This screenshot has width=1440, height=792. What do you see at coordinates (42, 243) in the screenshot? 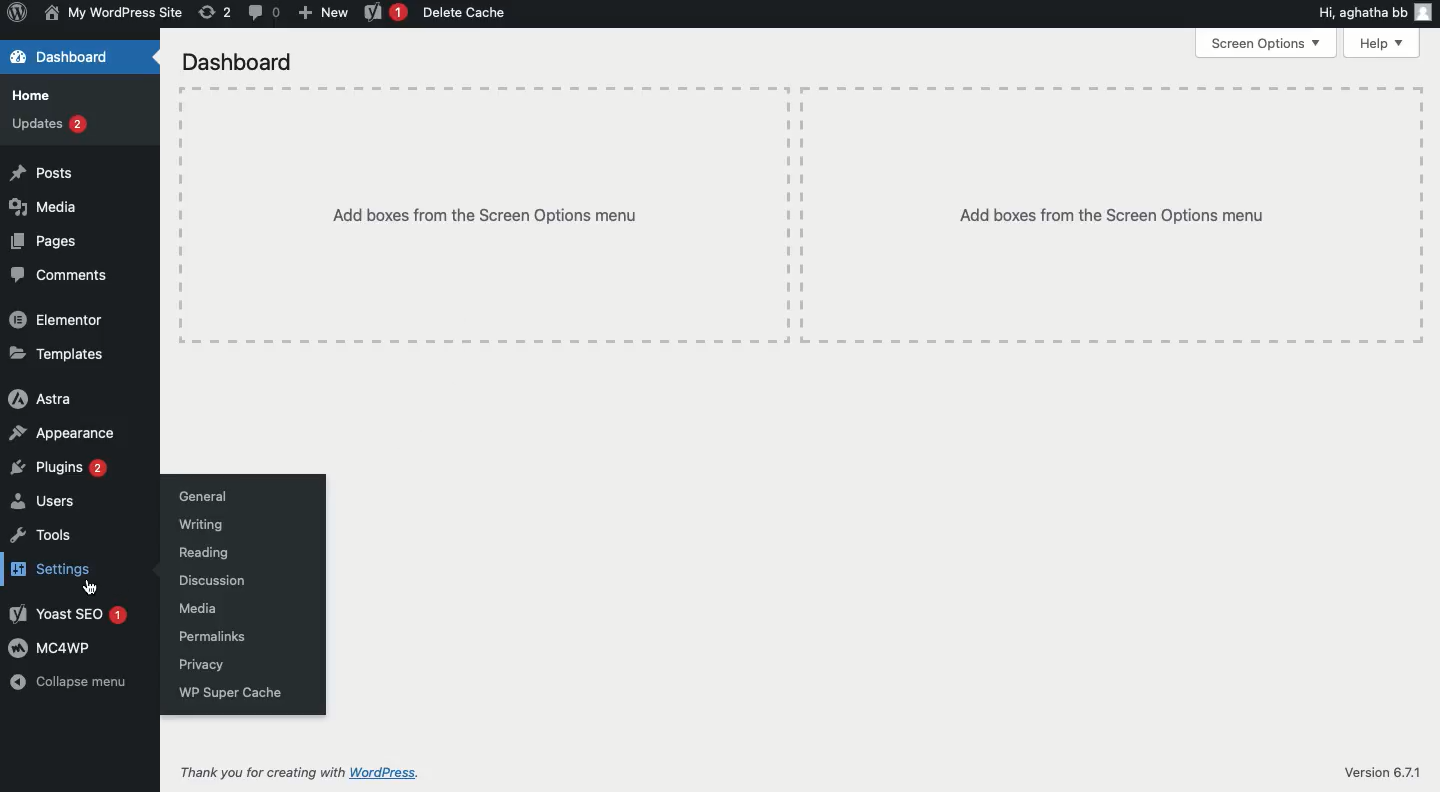
I see `Pages` at bounding box center [42, 243].